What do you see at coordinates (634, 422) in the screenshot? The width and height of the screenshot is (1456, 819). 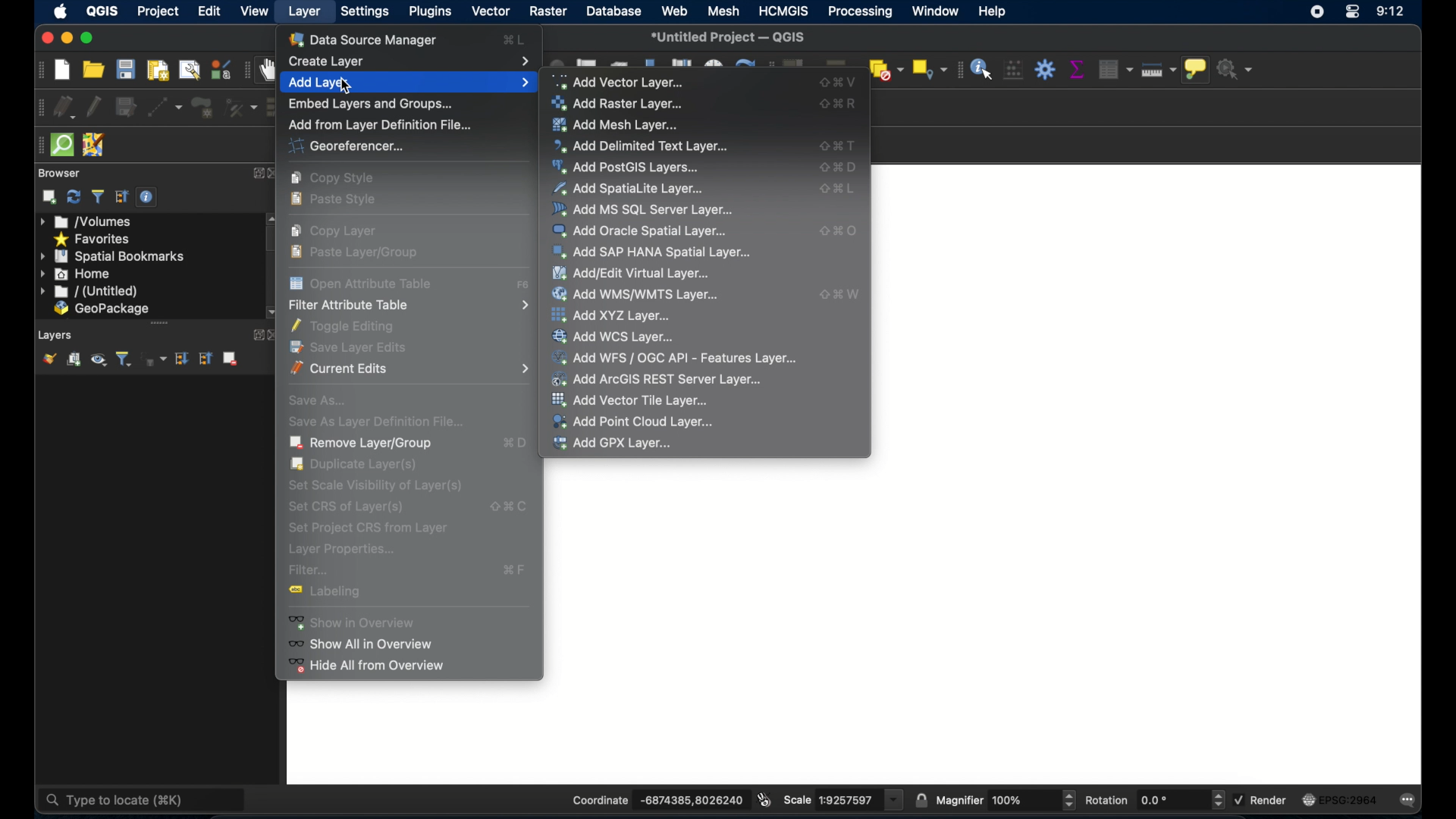 I see `Add Point Cloud Layer...` at bounding box center [634, 422].